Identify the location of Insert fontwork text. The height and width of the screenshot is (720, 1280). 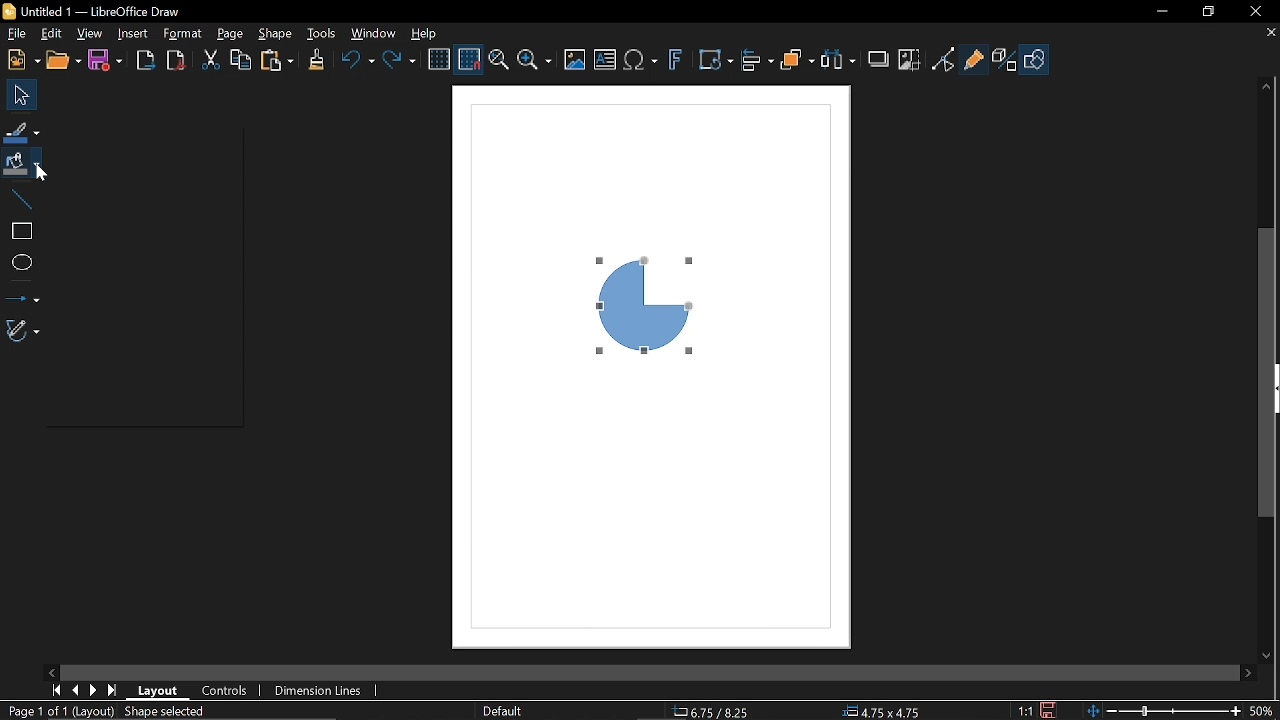
(677, 62).